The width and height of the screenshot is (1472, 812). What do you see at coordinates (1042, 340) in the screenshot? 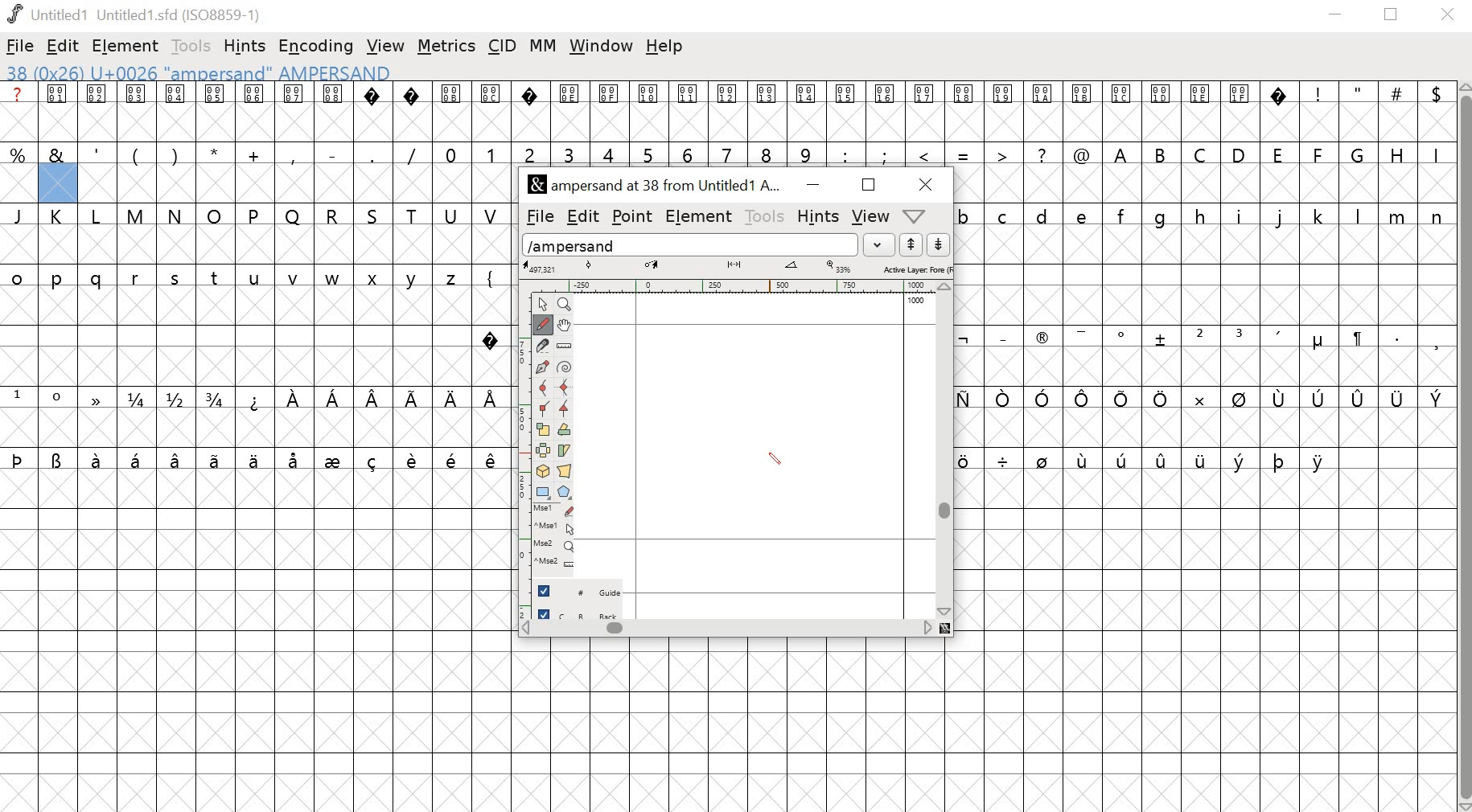
I see `Symbol` at bounding box center [1042, 340].